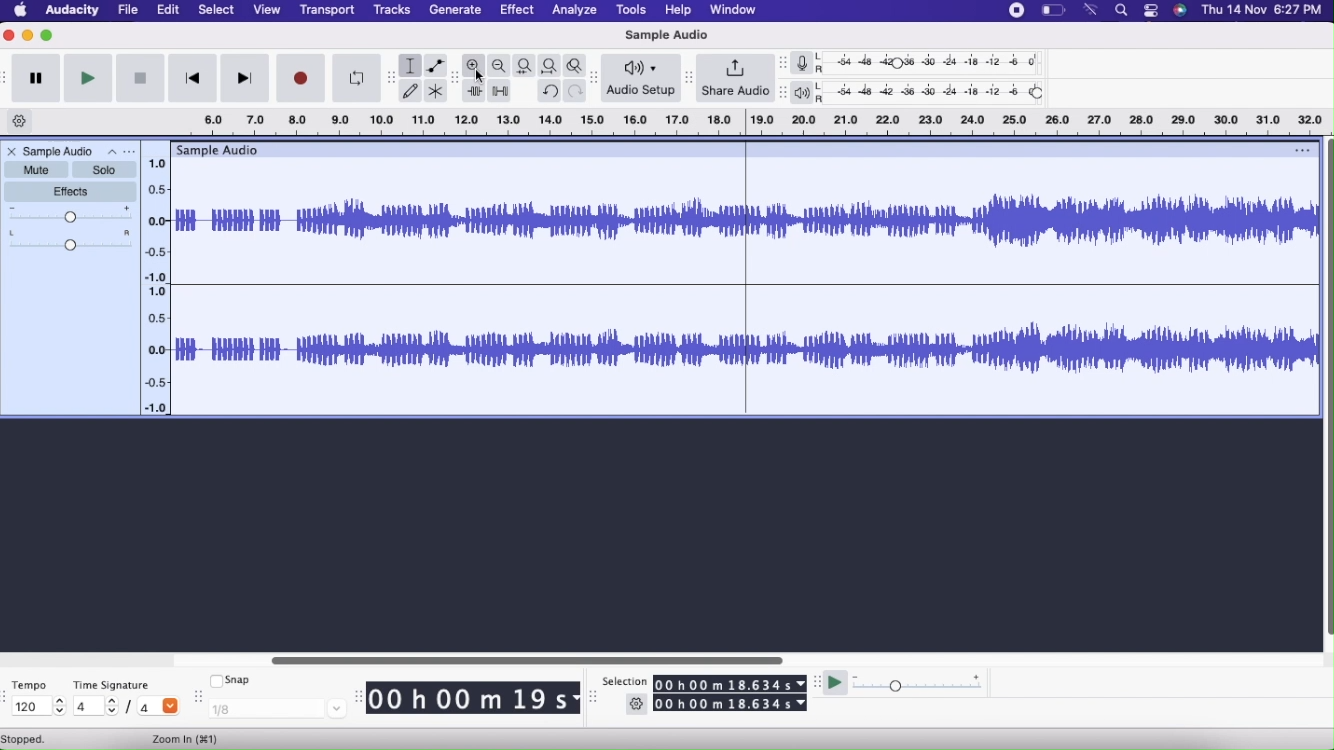 Image resolution: width=1334 pixels, height=750 pixels. Describe the element at coordinates (234, 681) in the screenshot. I see `Snap` at that location.